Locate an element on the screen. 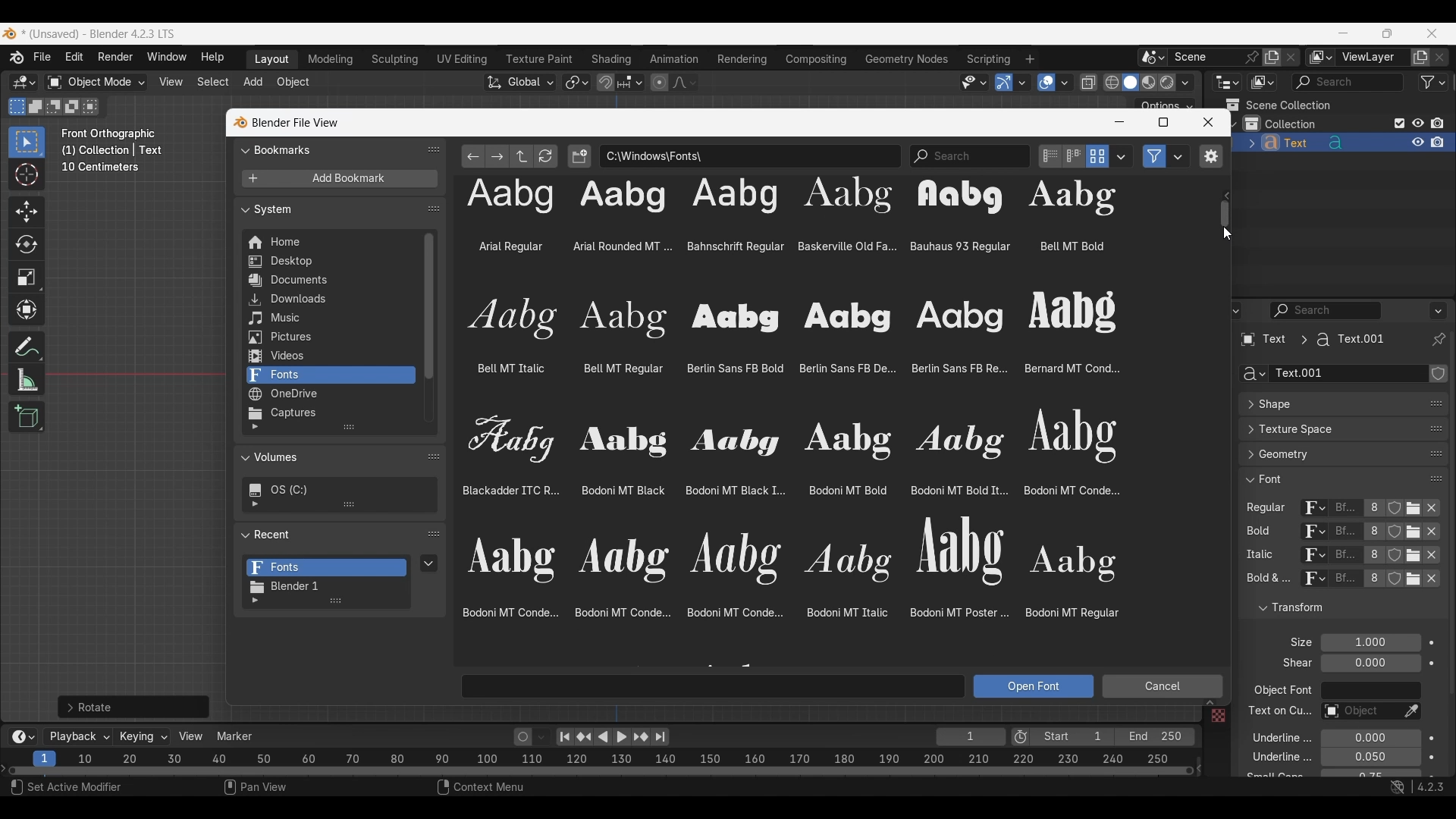 The height and width of the screenshot is (819, 1456). Shading workspace  is located at coordinates (613, 59).